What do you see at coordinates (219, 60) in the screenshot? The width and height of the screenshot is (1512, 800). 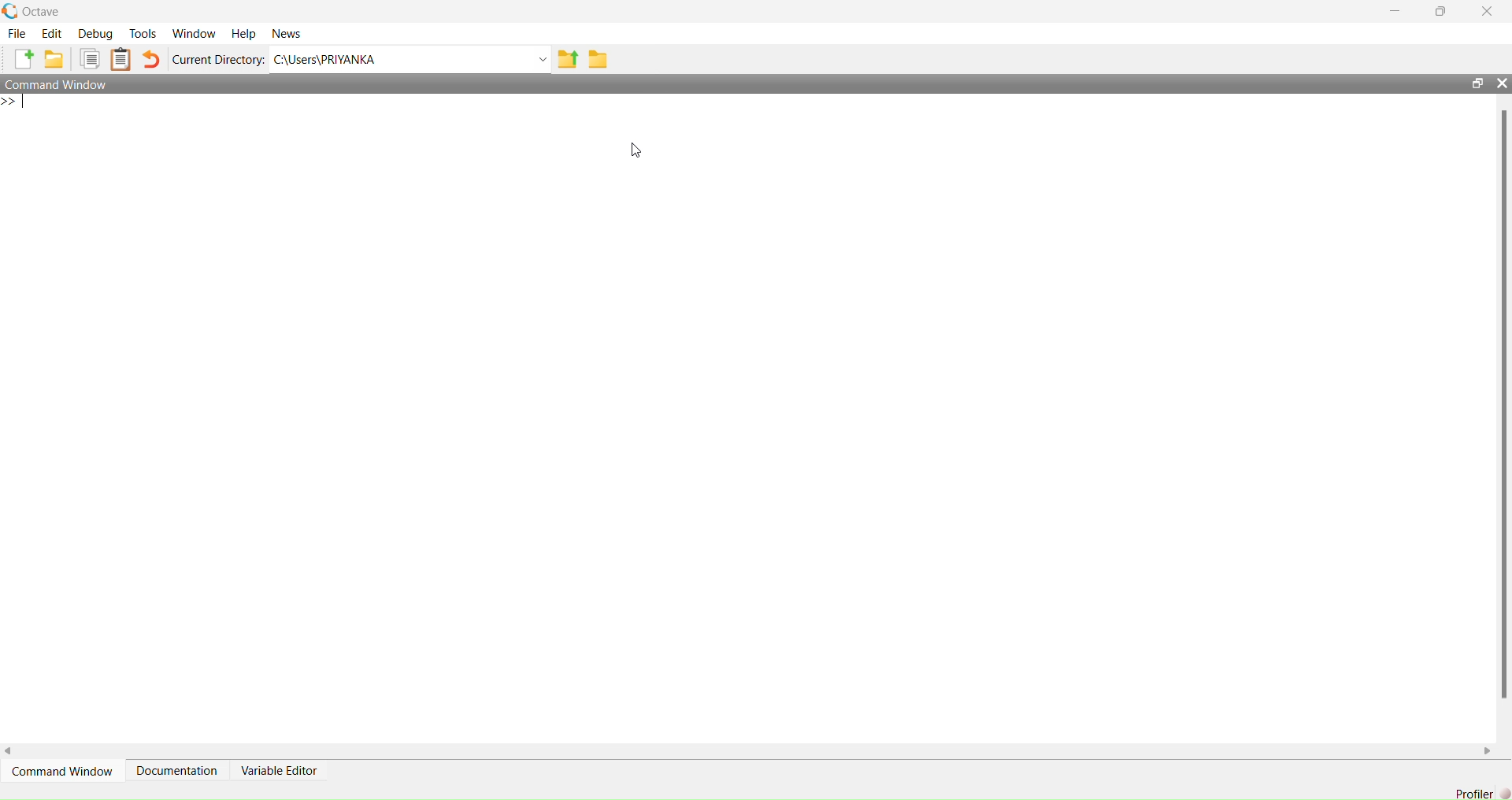 I see `Current Directory:` at bounding box center [219, 60].